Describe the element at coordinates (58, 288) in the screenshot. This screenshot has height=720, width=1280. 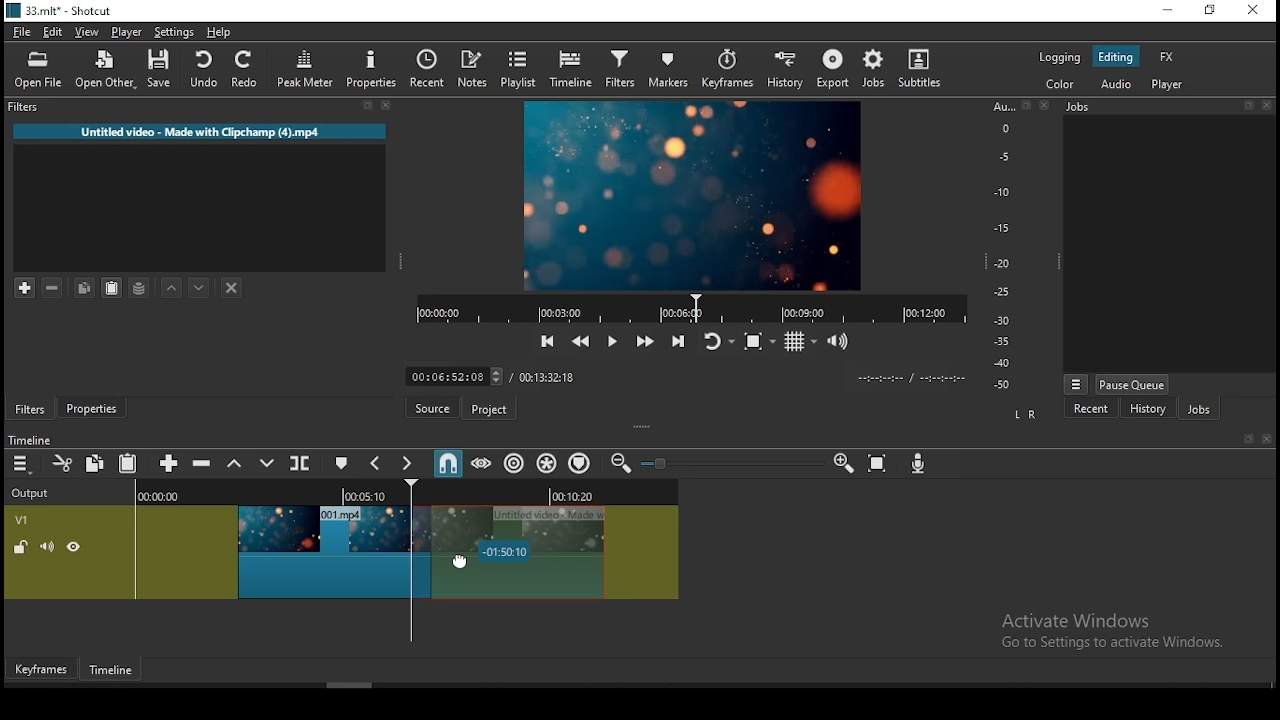
I see `remove selected filters` at that location.